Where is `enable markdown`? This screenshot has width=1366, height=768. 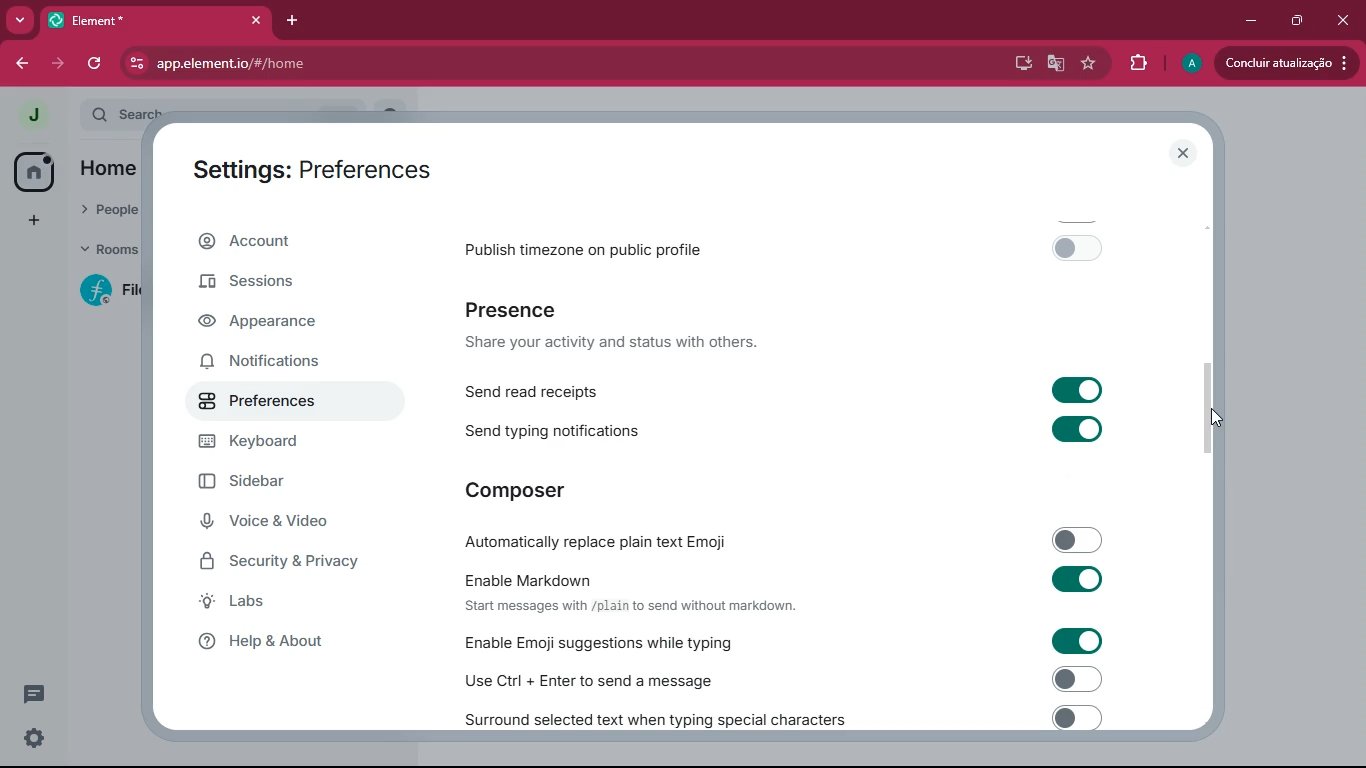
enable markdown is located at coordinates (786, 589).